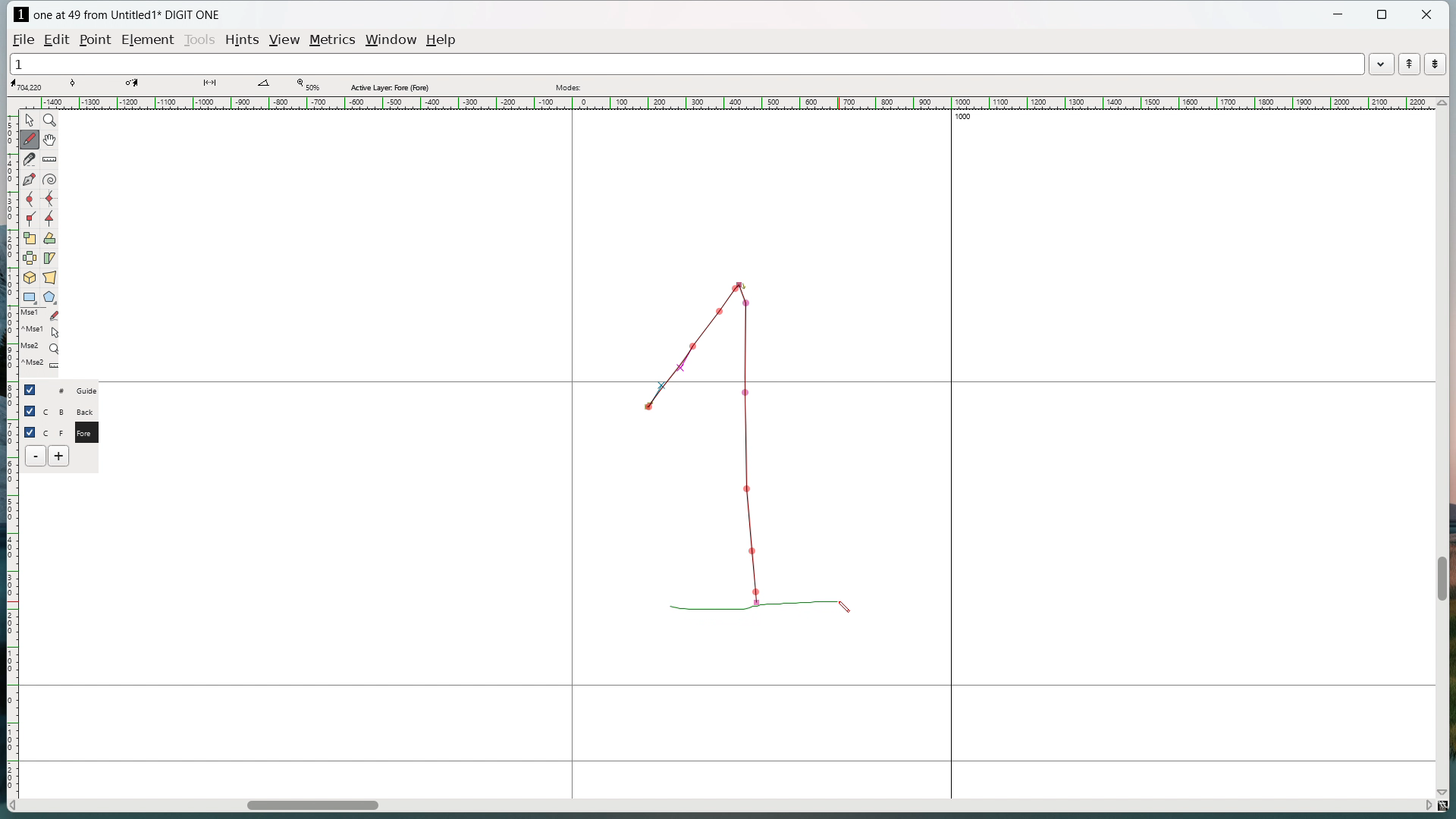  What do you see at coordinates (51, 158) in the screenshot?
I see `measure distance or angle` at bounding box center [51, 158].